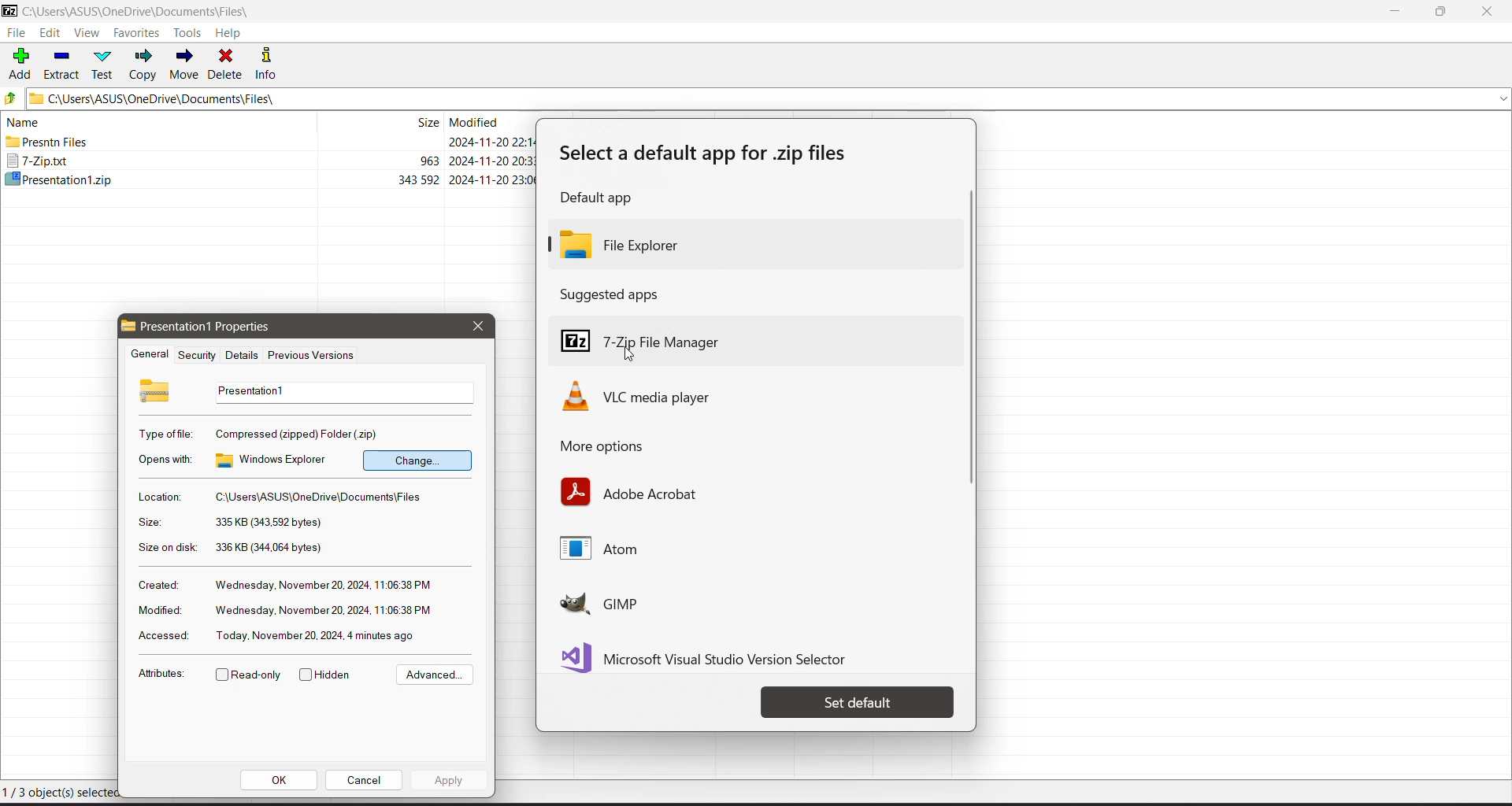  What do you see at coordinates (249, 676) in the screenshot?
I see `Read-only - Click to enable/disable` at bounding box center [249, 676].